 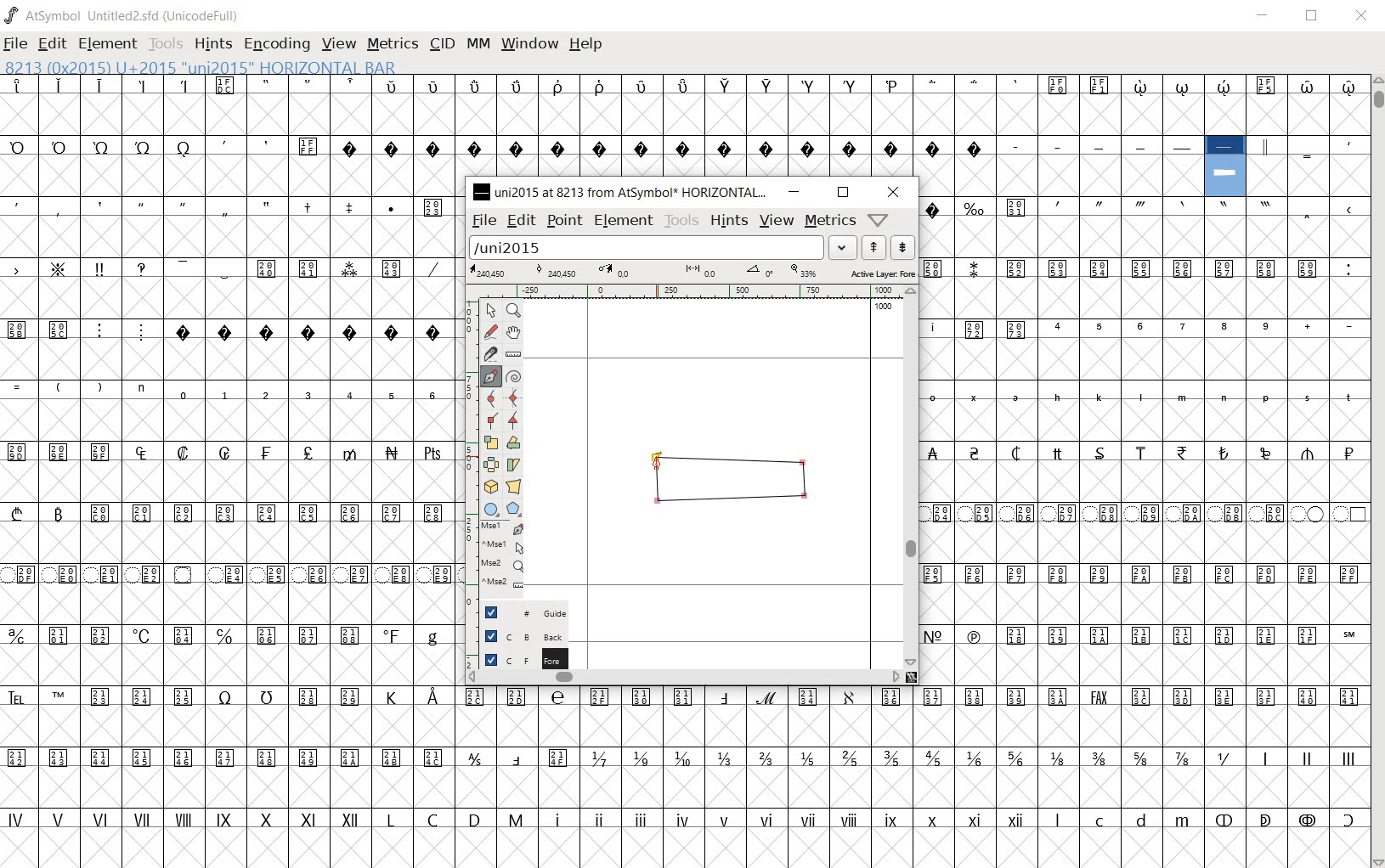 I want to click on hints, so click(x=730, y=223).